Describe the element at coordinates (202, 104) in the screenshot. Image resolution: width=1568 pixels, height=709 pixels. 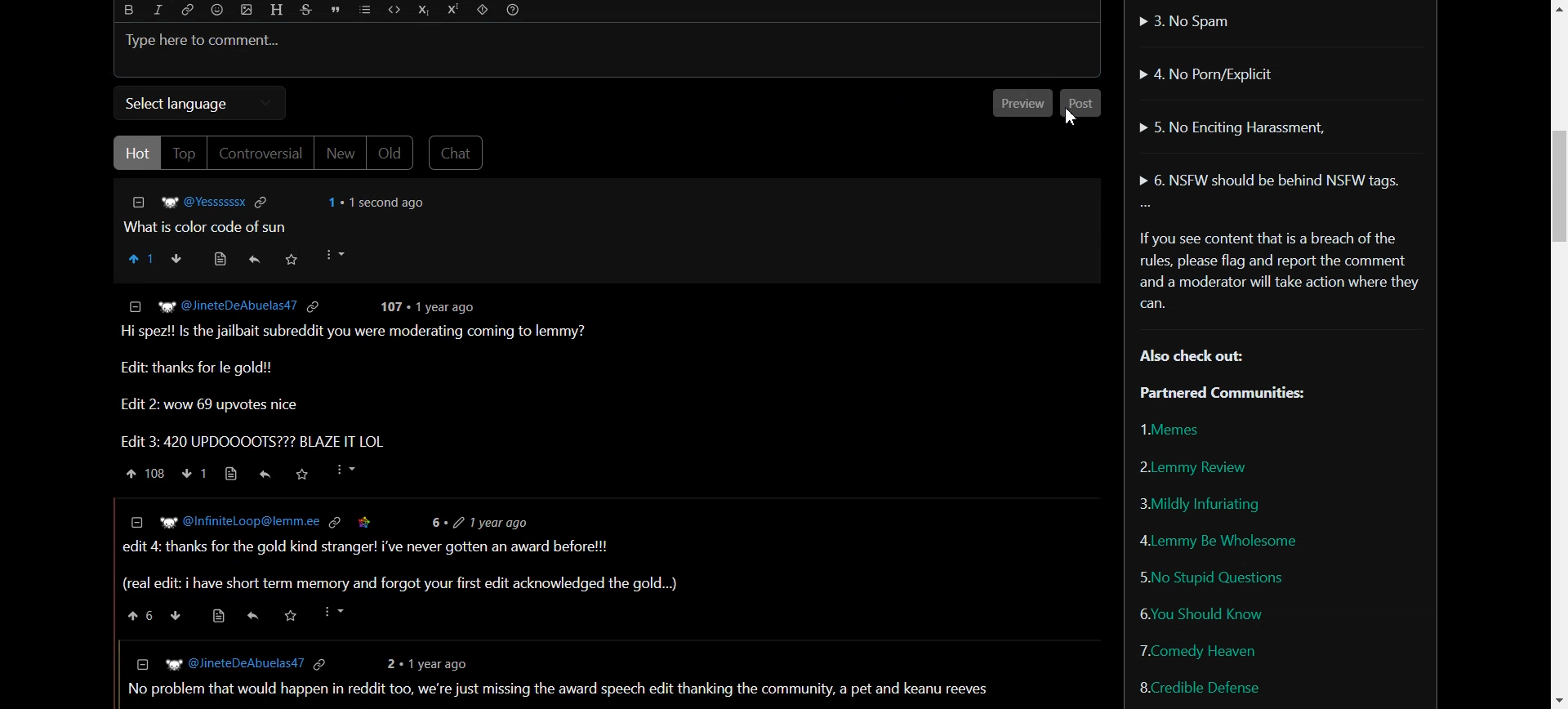
I see `Select language` at that location.